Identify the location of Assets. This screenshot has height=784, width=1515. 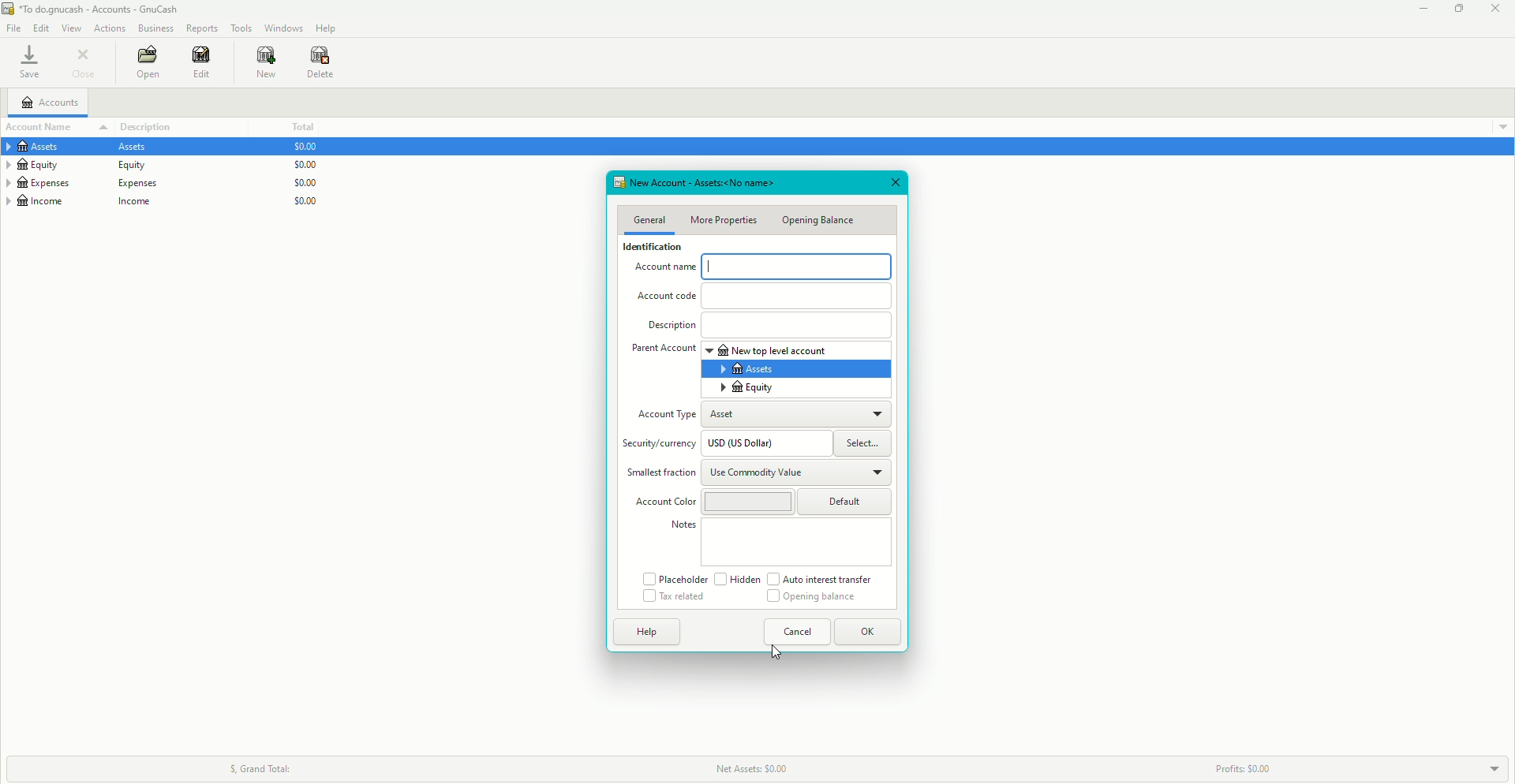
(84, 148).